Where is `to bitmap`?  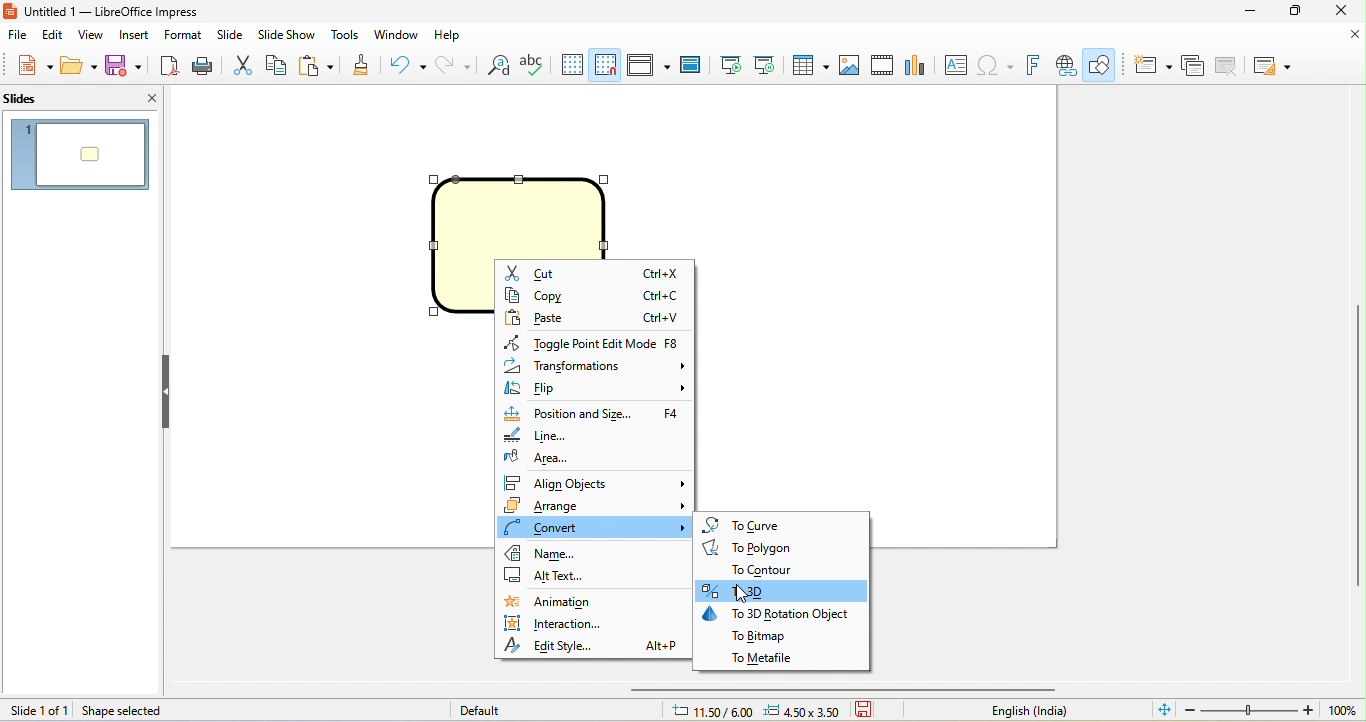
to bitmap is located at coordinates (759, 639).